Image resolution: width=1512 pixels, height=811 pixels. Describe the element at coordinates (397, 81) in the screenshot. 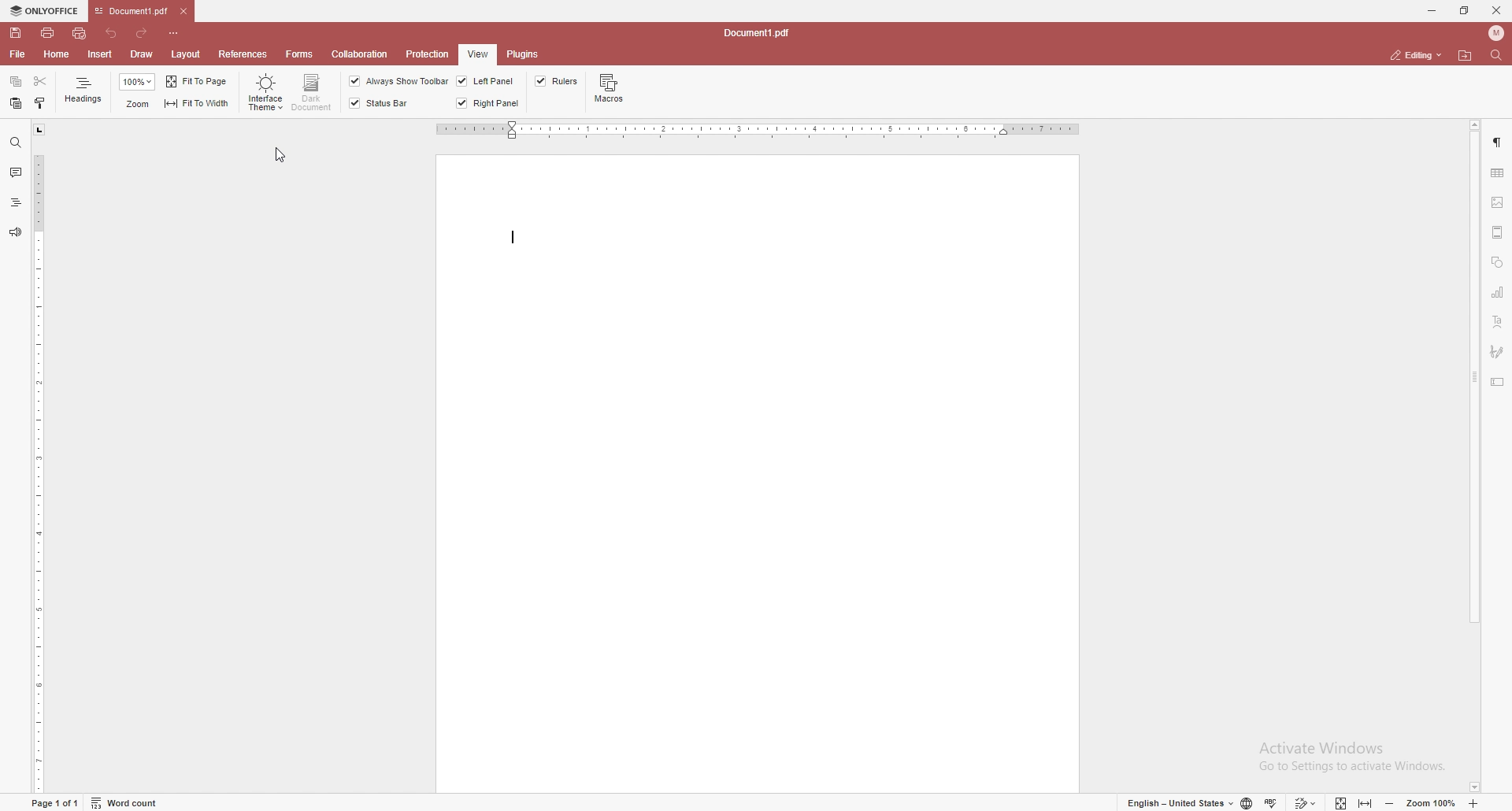

I see `always show toolbar` at that location.